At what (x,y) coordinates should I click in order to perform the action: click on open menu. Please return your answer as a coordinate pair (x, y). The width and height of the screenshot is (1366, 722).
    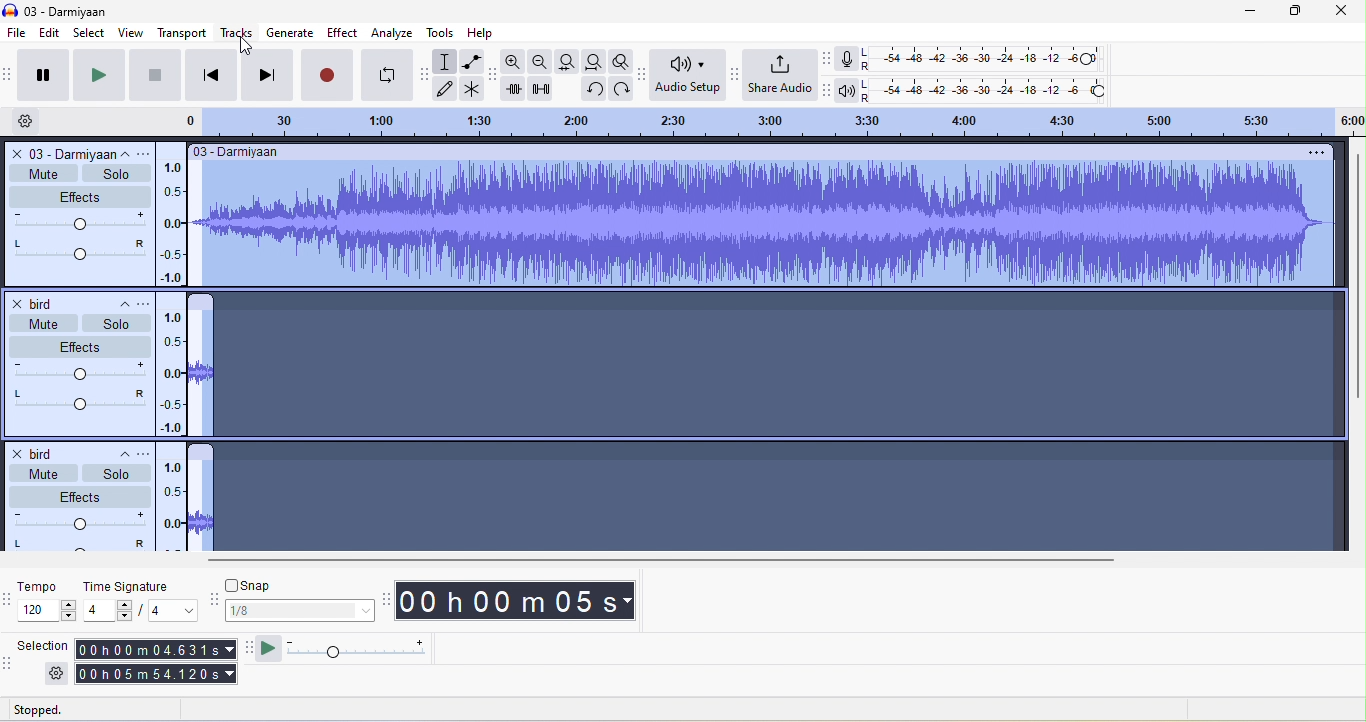
    Looking at the image, I should click on (145, 454).